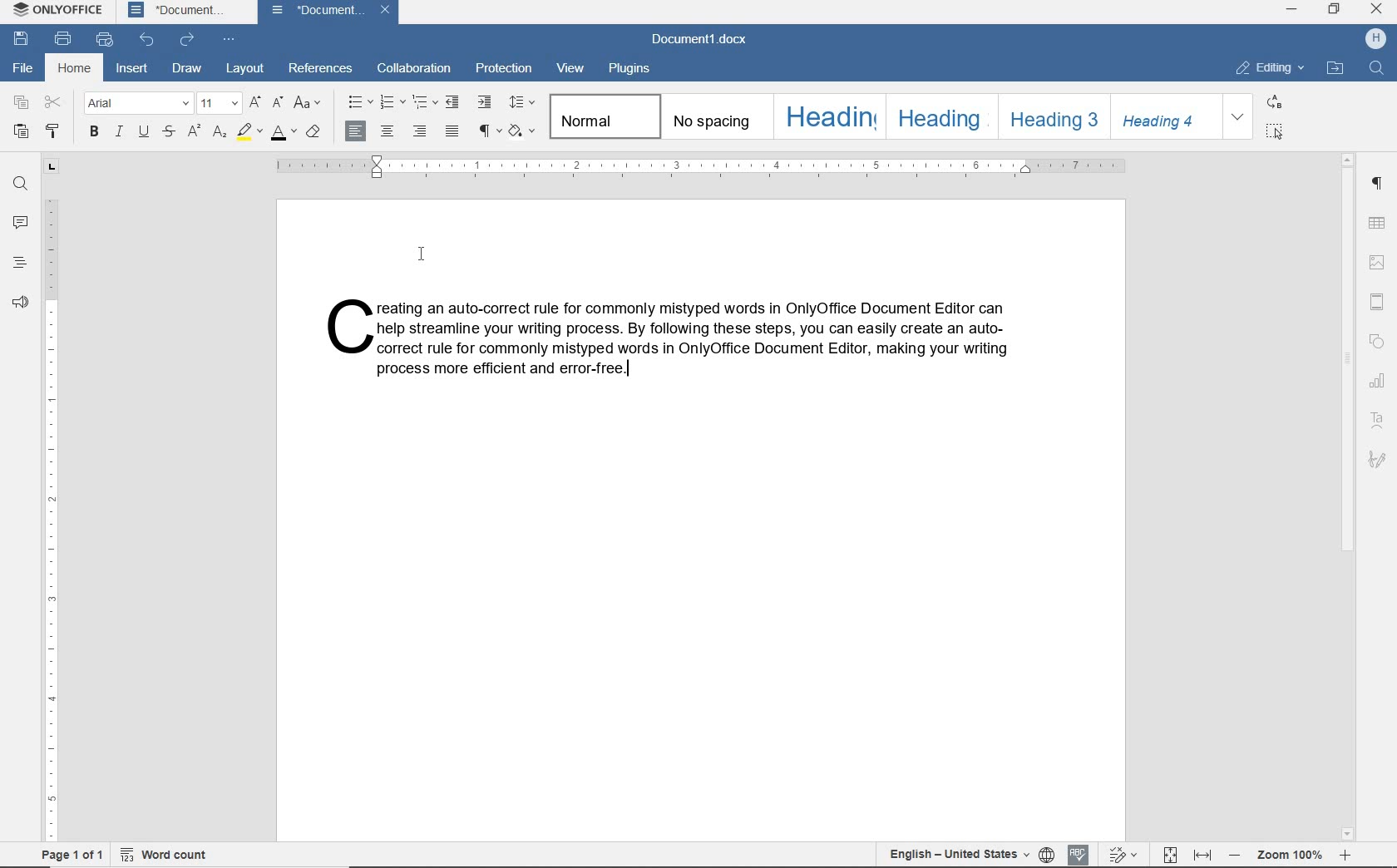 This screenshot has height=868, width=1397. What do you see at coordinates (220, 104) in the screenshot?
I see `FONT SIZE` at bounding box center [220, 104].